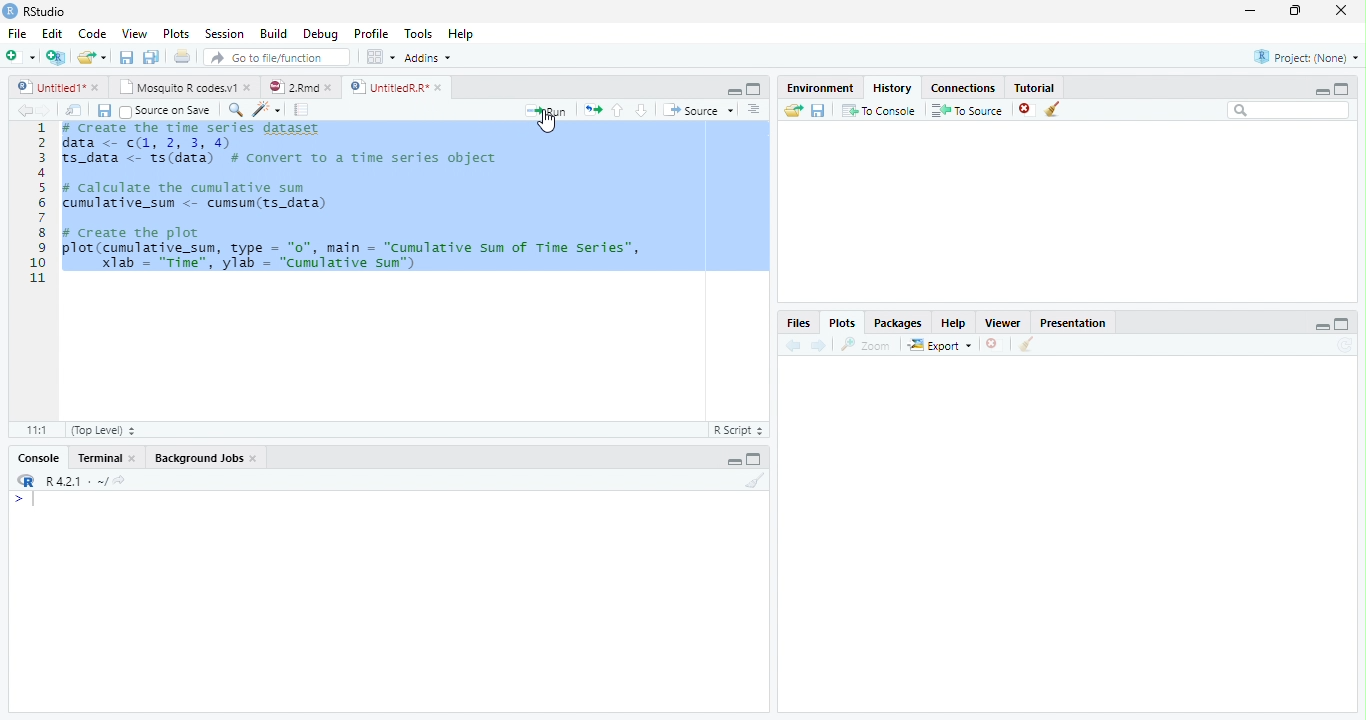 The image size is (1366, 720). I want to click on # Create the time series dataset data <- (1, 2, 3, 4)S_data <- ts(data) # convert to a time series objectcalculate the cumulative sumumulative_sum <- cumsum(ts_data)create the plotlot (cumulative_sum, type = "0", main = "Cumulative sum of Time Series”,Xlab = "Time", ylab = "cumulative sun"), so click(362, 205).